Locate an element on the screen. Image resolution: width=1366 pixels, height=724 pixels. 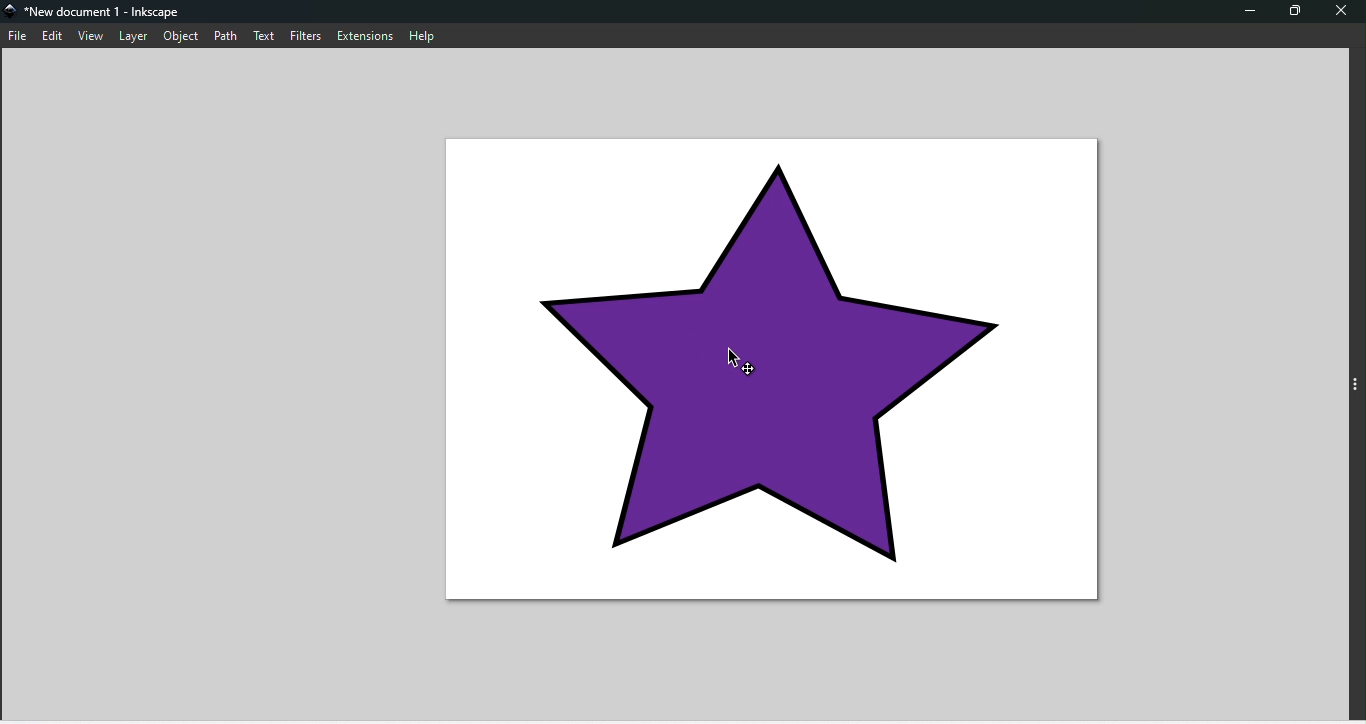
View is located at coordinates (94, 36).